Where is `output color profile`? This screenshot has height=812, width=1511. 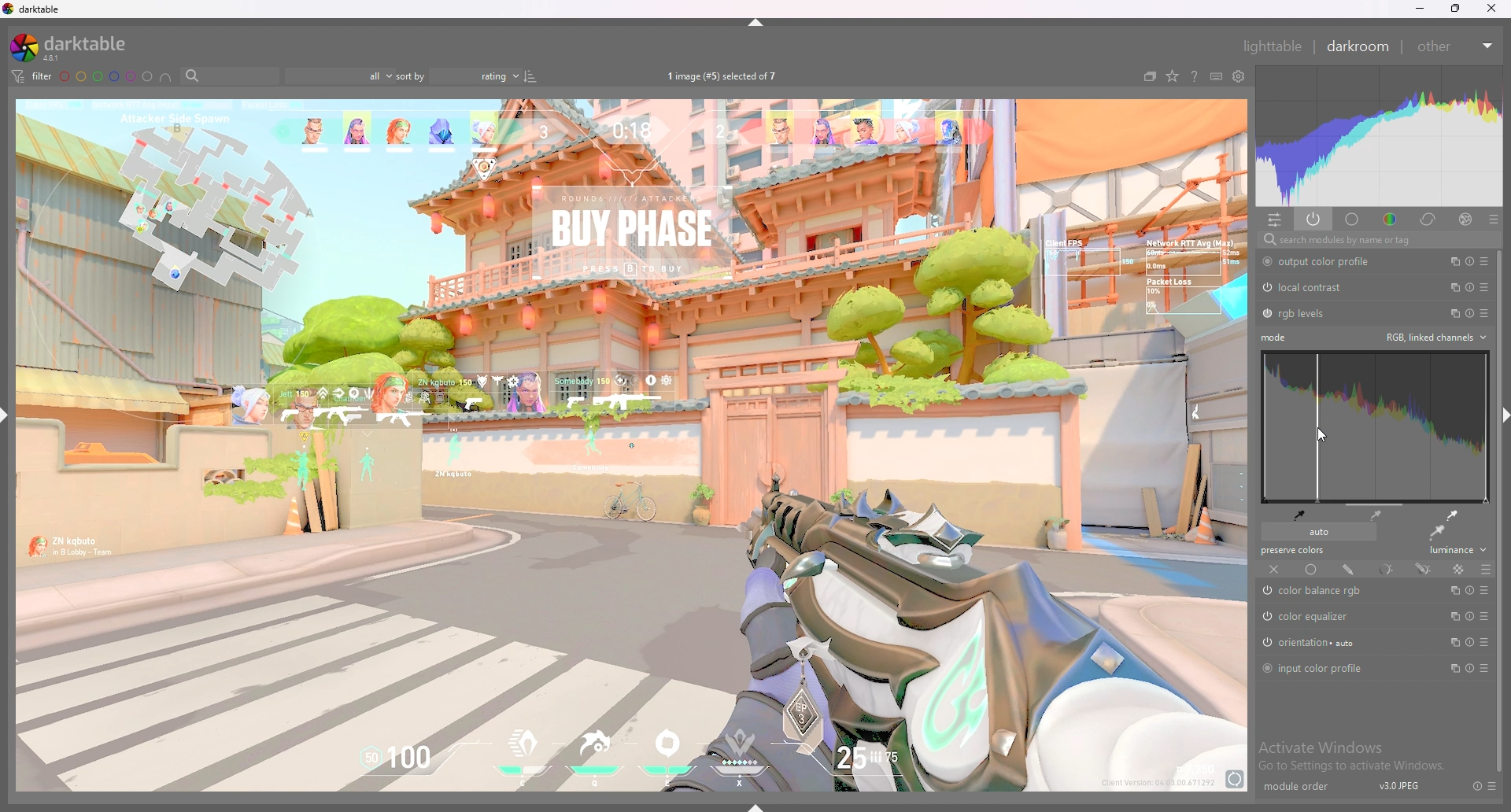 output color profile is located at coordinates (1329, 261).